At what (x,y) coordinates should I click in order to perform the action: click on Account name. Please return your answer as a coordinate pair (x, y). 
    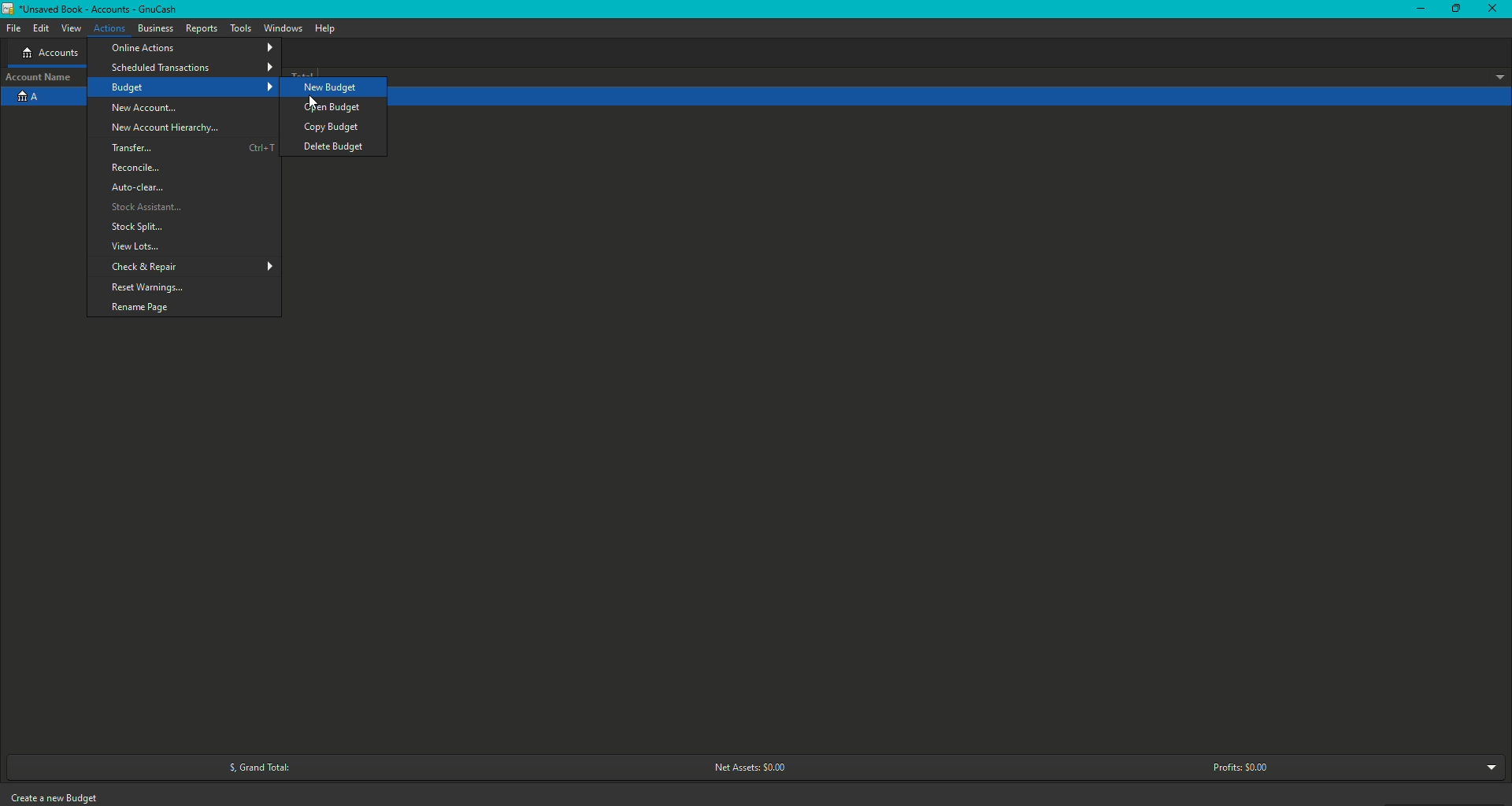
    Looking at the image, I should click on (54, 77).